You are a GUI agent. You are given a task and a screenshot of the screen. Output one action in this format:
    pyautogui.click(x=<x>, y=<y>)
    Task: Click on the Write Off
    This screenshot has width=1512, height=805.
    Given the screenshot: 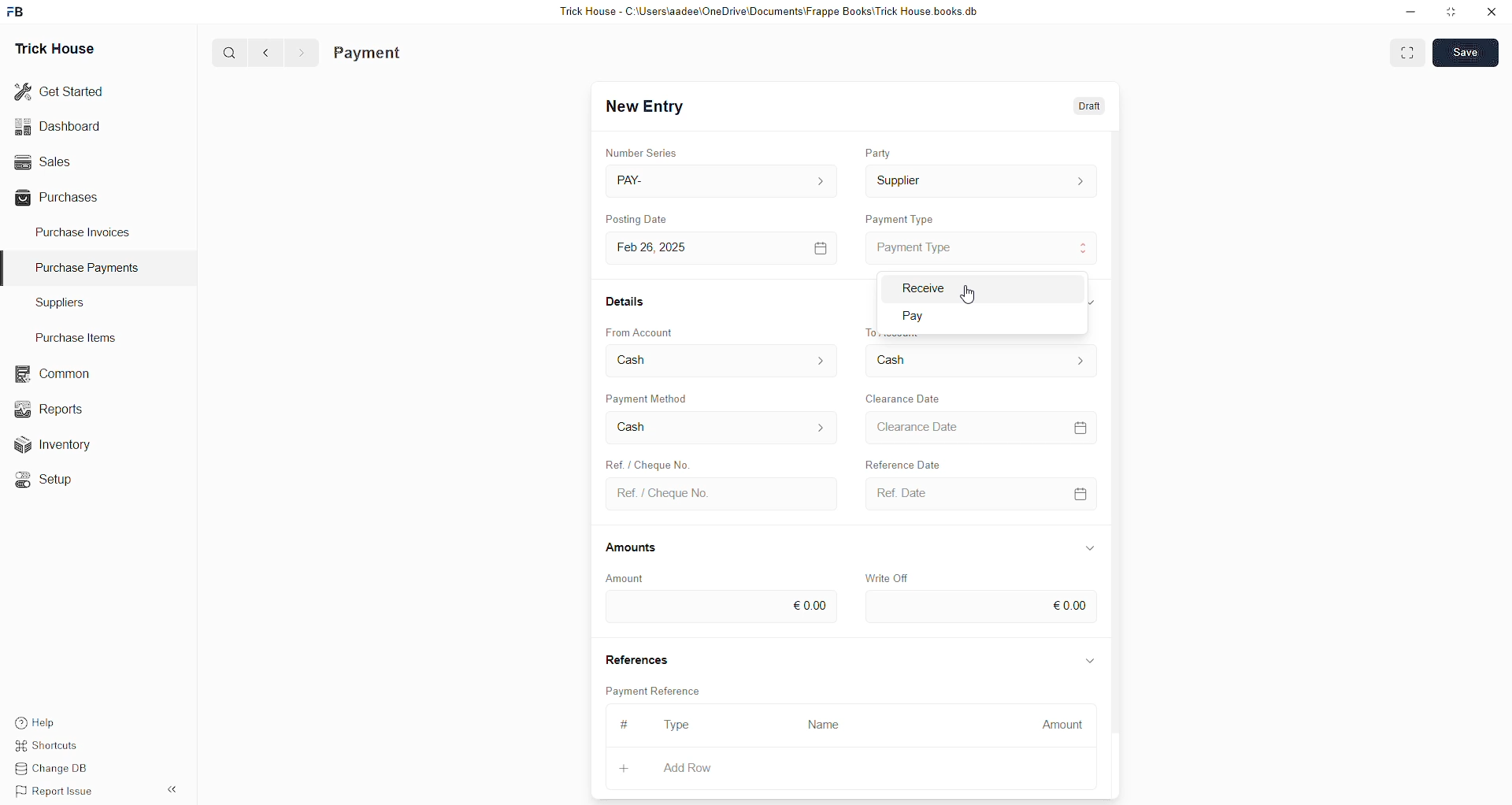 What is the action you would take?
    pyautogui.click(x=888, y=574)
    